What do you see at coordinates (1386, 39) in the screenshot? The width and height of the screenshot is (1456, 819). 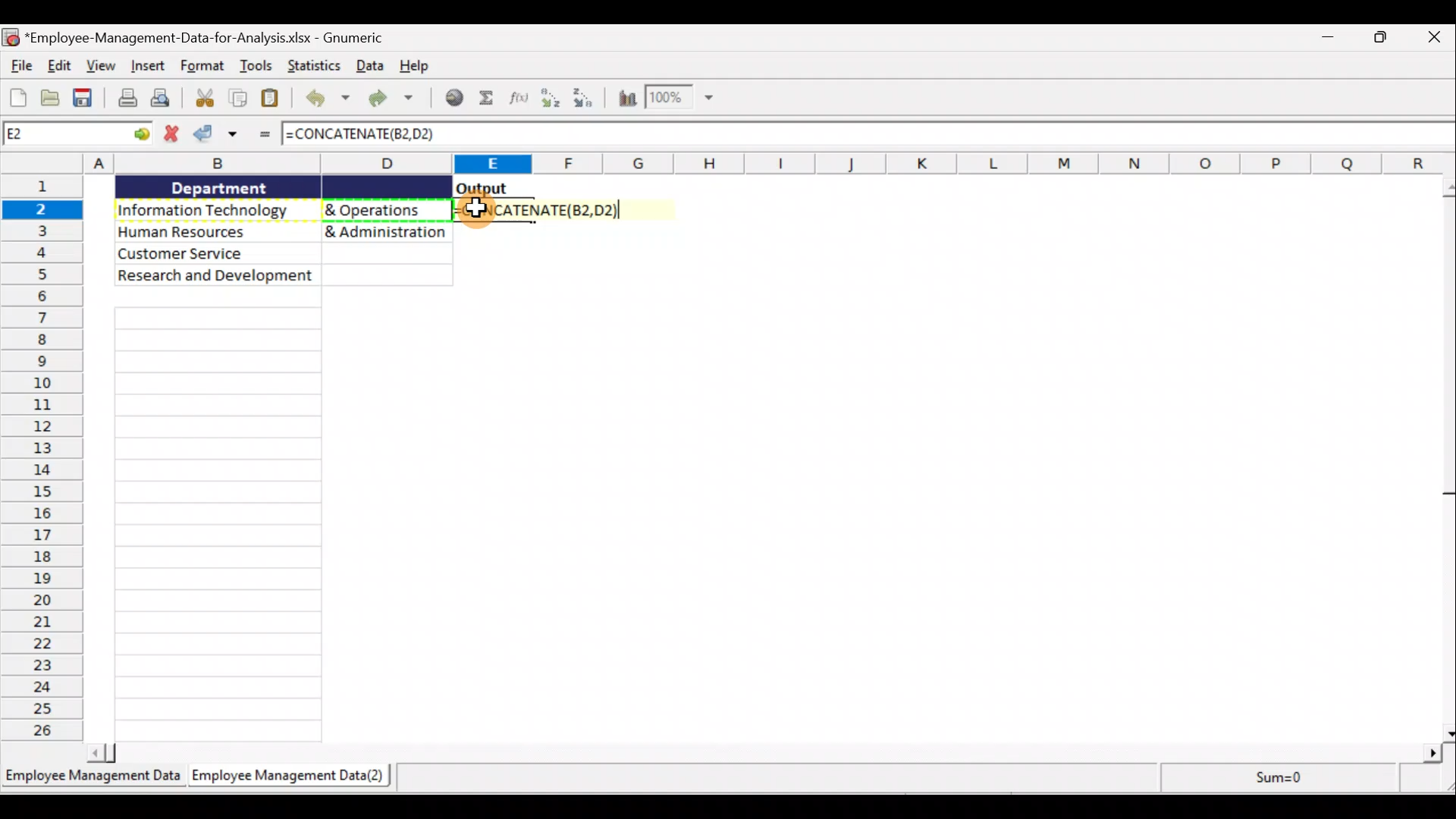 I see `Maximise` at bounding box center [1386, 39].